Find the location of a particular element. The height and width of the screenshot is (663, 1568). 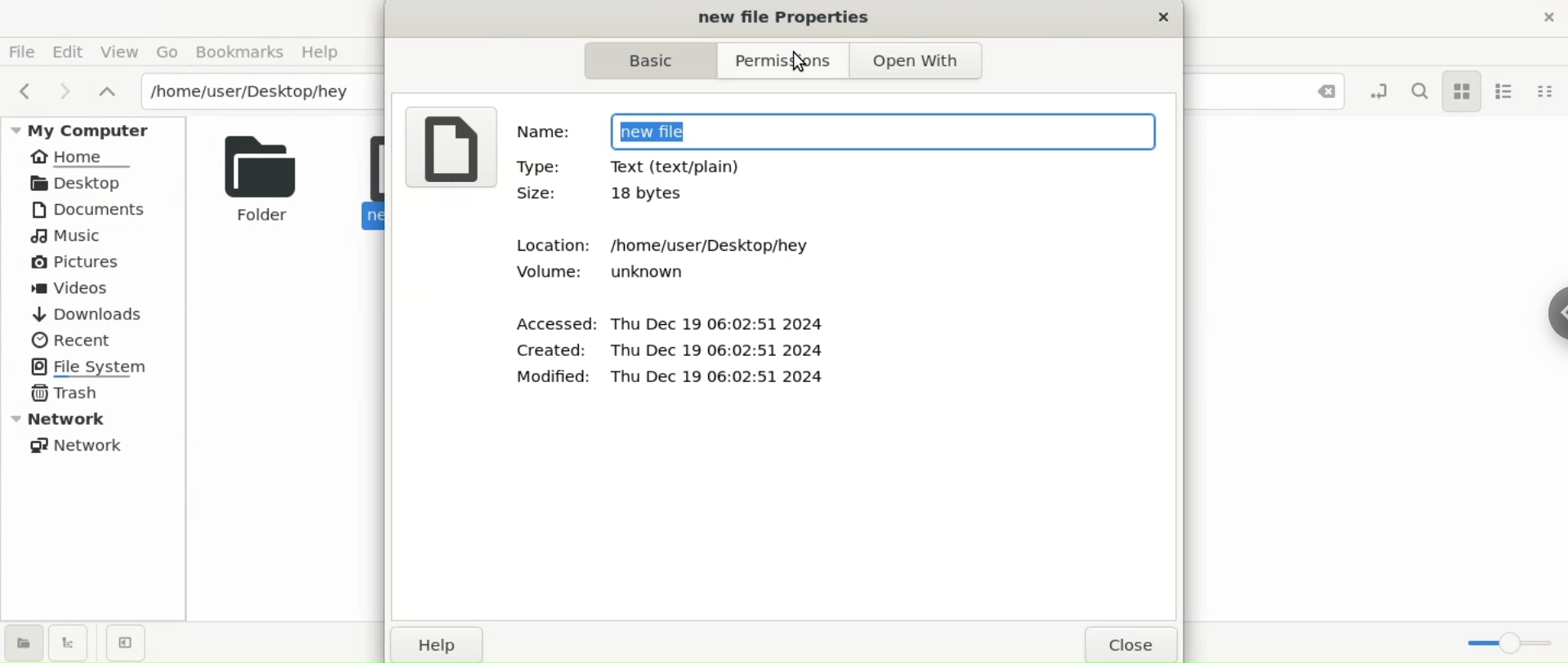

file is located at coordinates (448, 146).